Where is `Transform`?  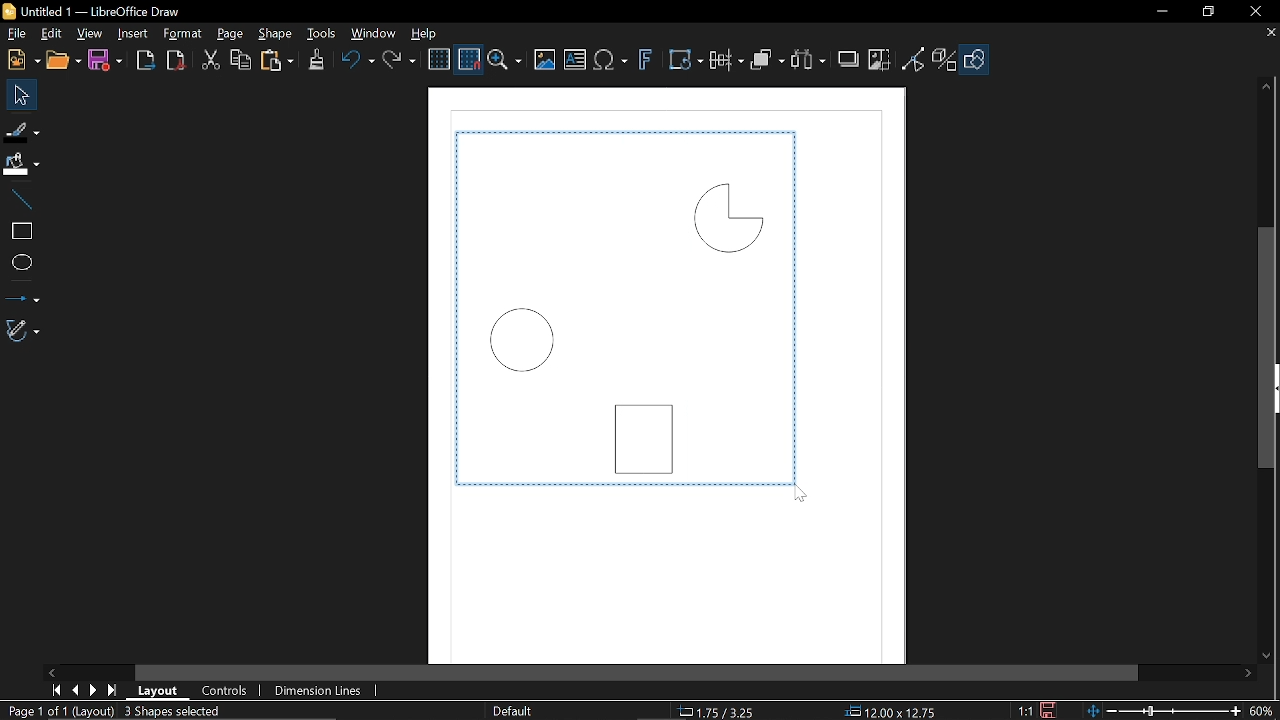 Transform is located at coordinates (682, 61).